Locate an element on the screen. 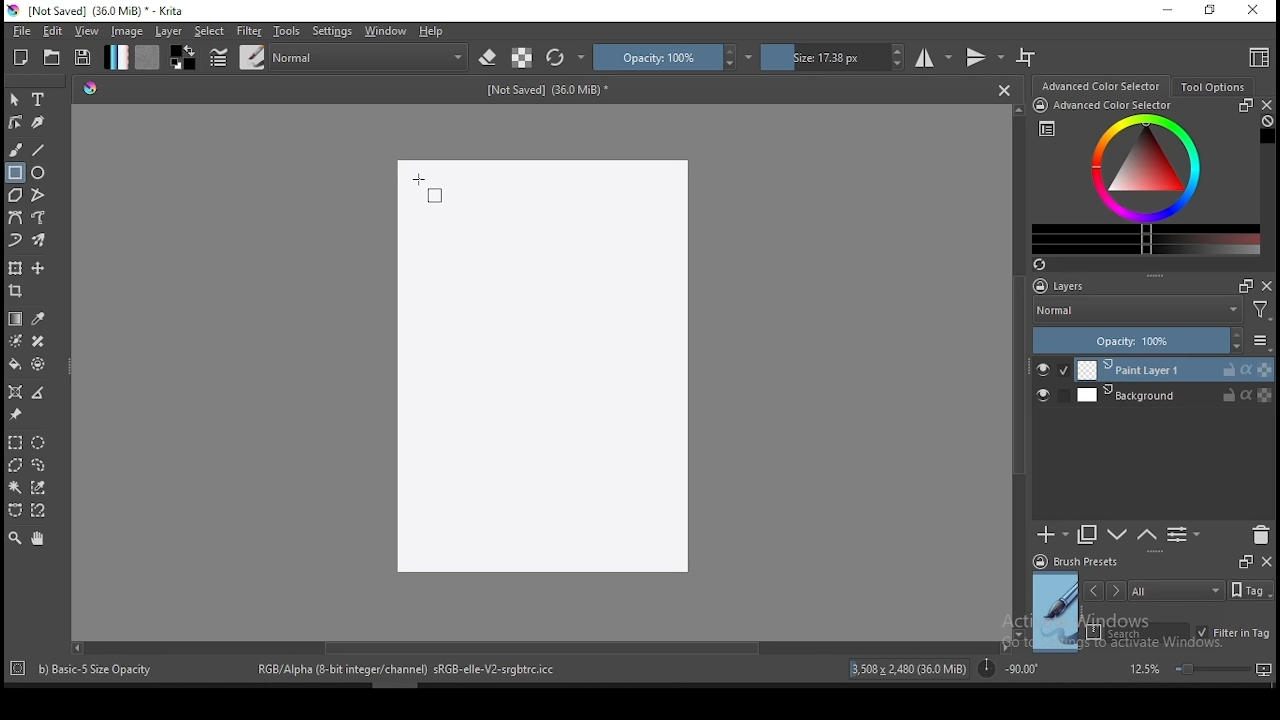 The width and height of the screenshot is (1280, 720). bezier curve selection tool is located at coordinates (15, 511).